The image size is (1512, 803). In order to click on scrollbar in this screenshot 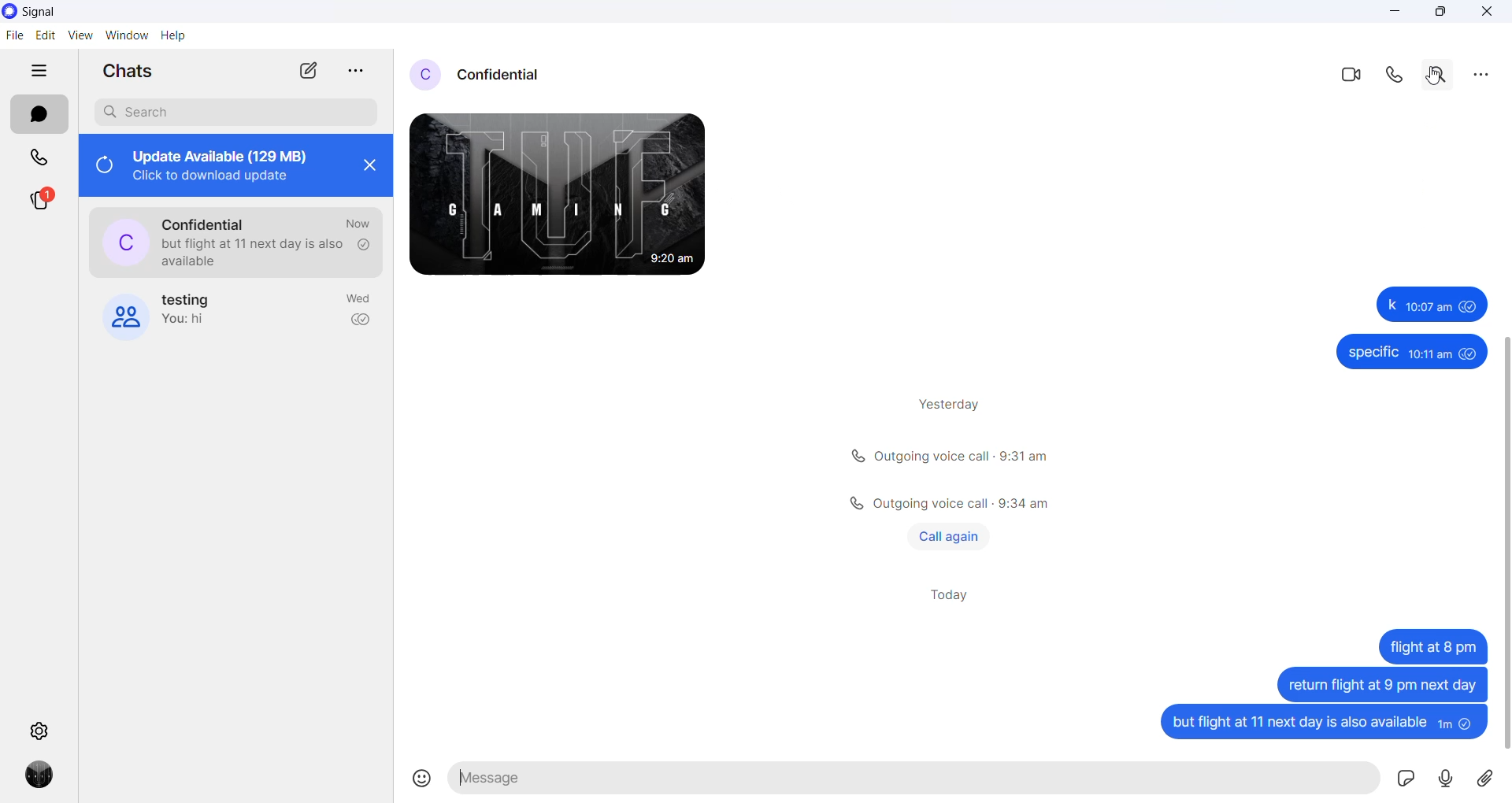, I will do `click(1503, 527)`.